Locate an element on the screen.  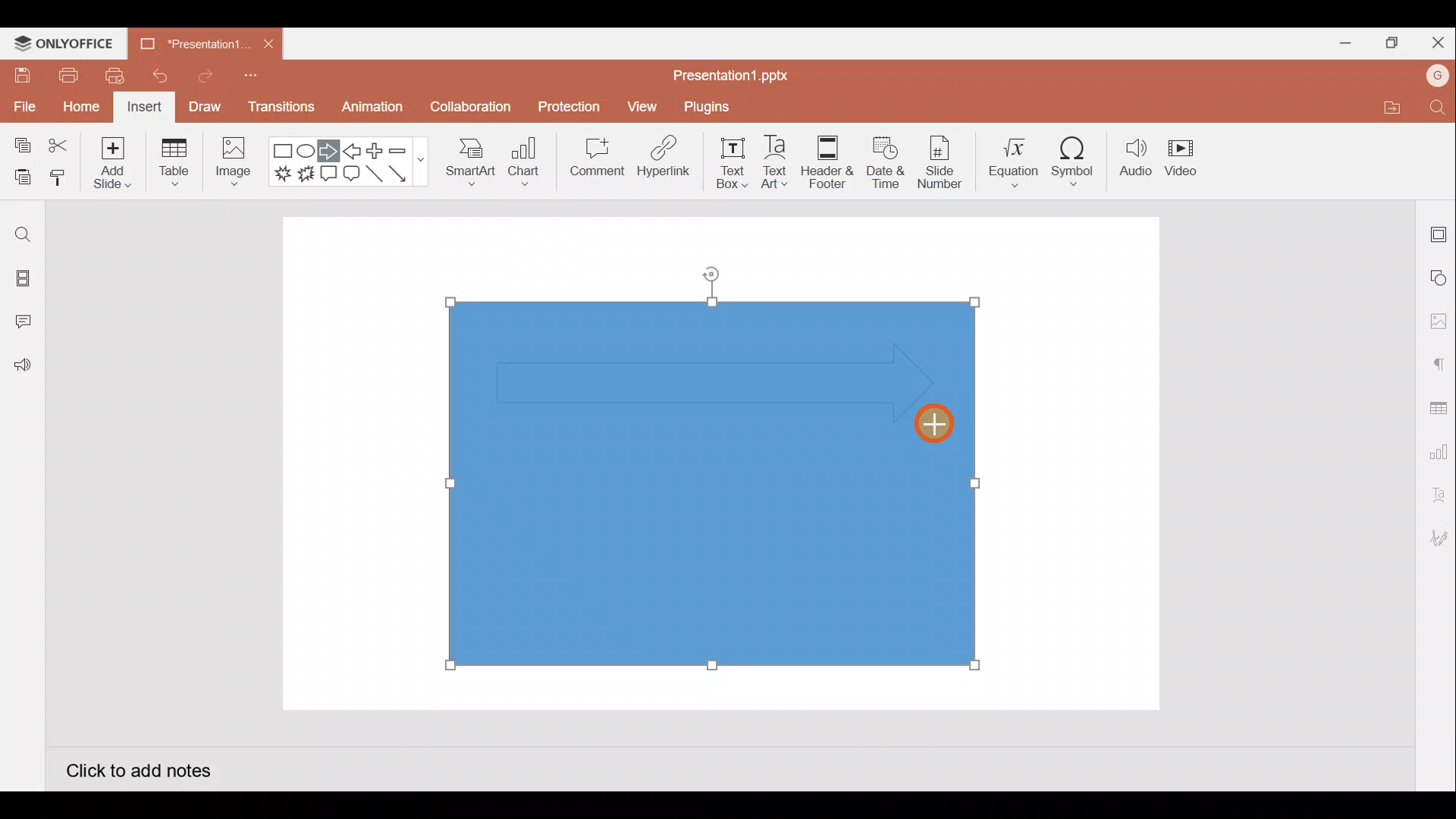
Table settings is located at coordinates (1435, 406).